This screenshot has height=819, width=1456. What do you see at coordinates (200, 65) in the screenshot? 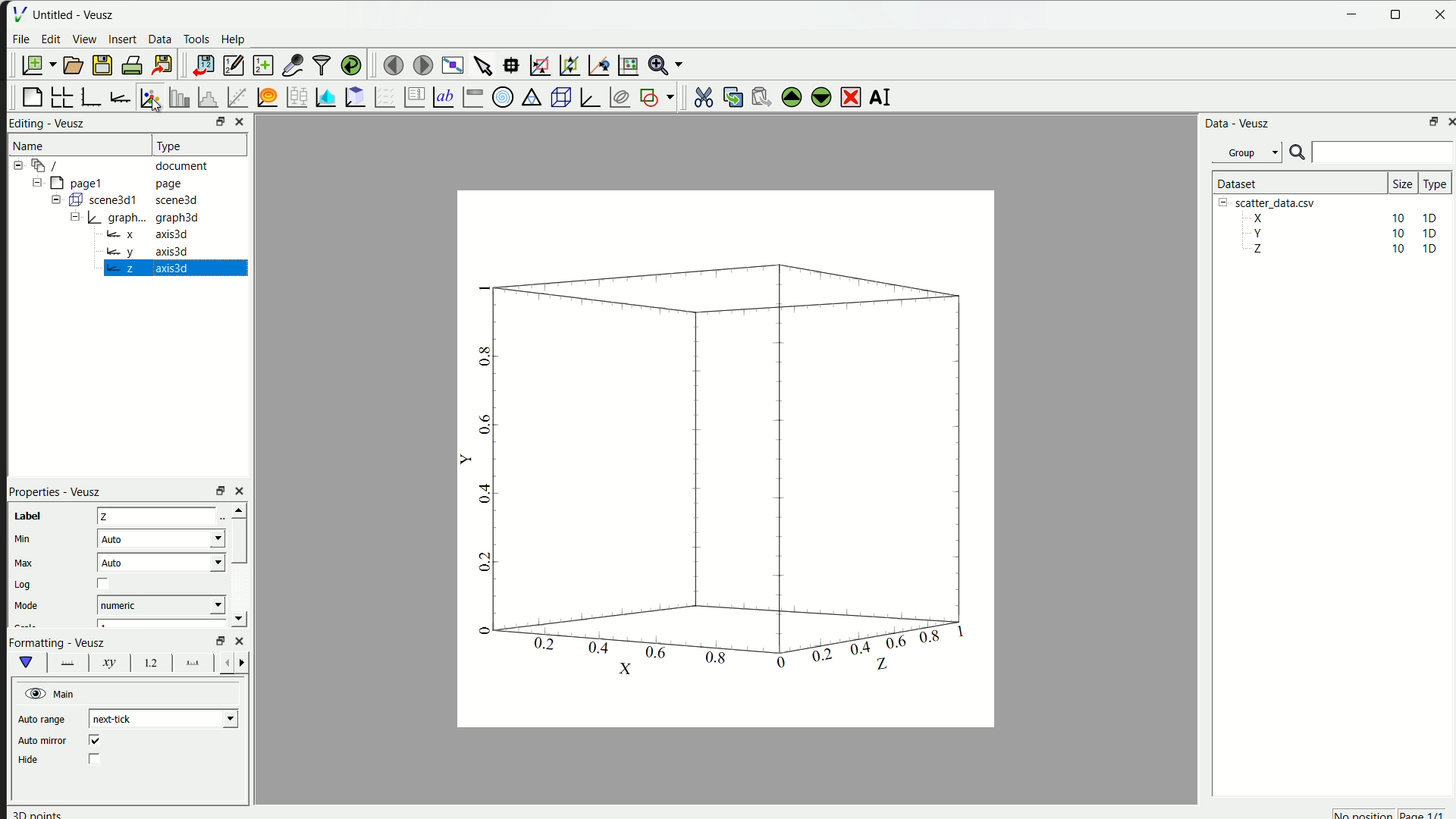
I see `import data` at bounding box center [200, 65].